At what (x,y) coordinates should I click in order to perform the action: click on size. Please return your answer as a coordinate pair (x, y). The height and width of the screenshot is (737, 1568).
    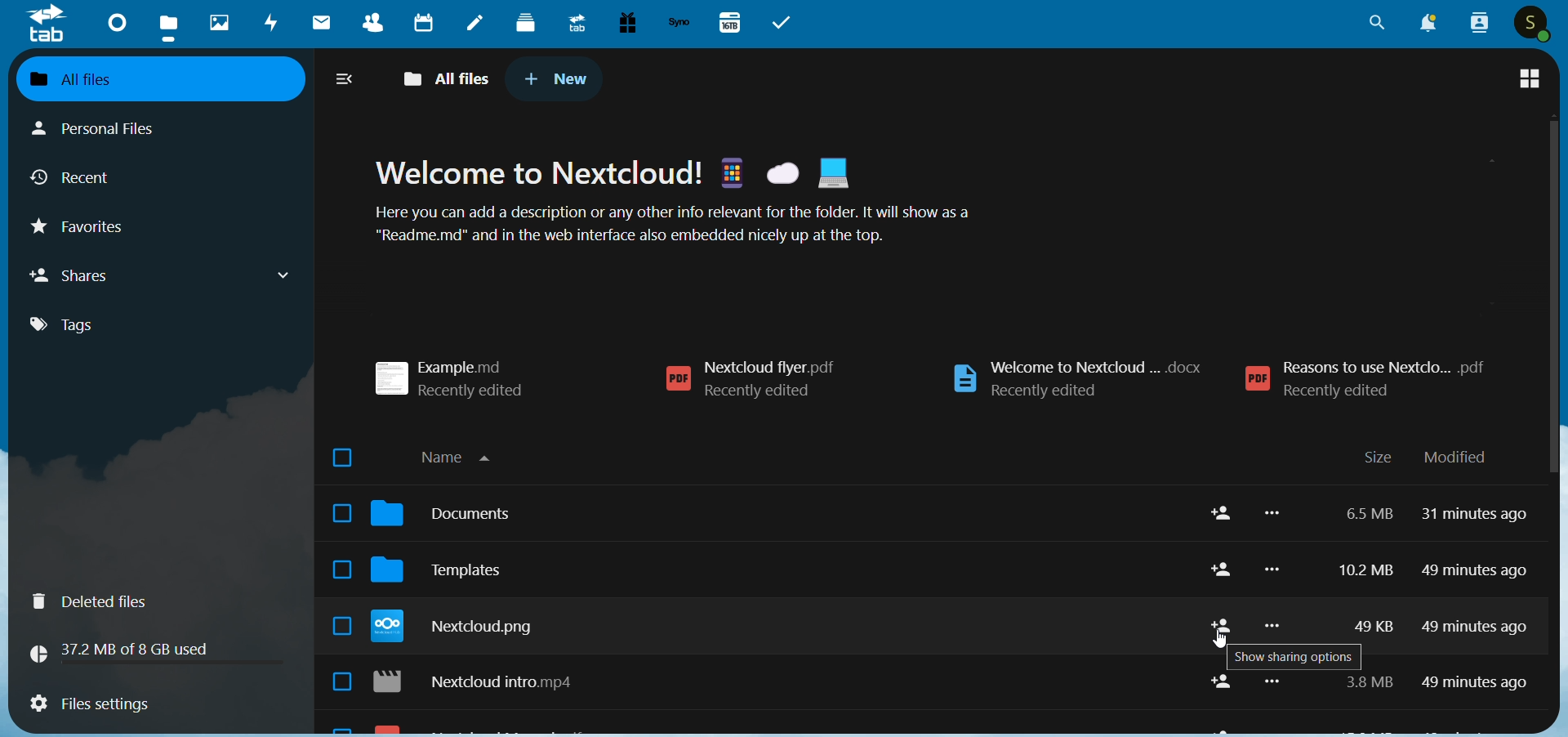
    Looking at the image, I should click on (1373, 455).